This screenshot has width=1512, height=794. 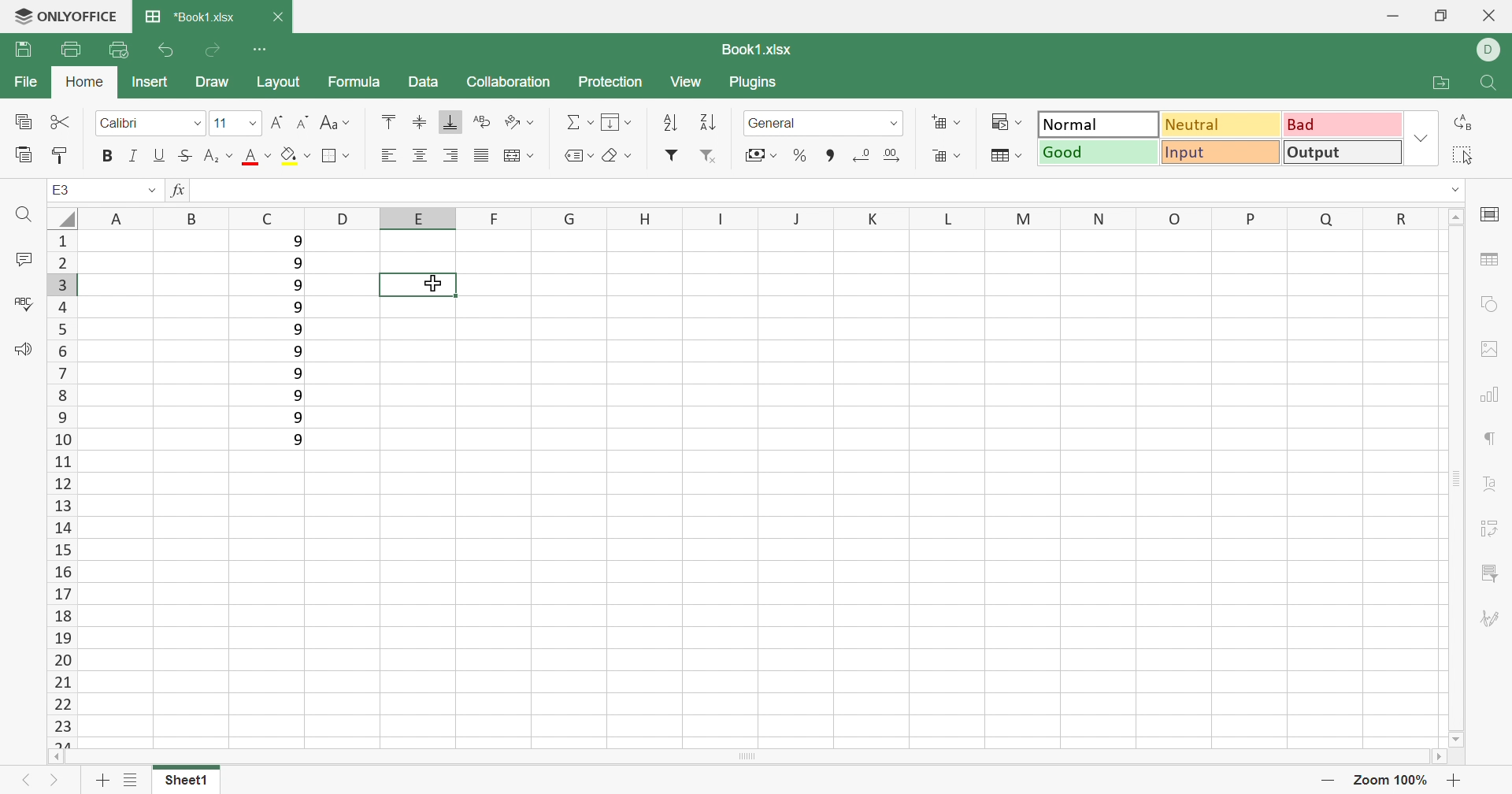 I want to click on Align Left, so click(x=388, y=155).